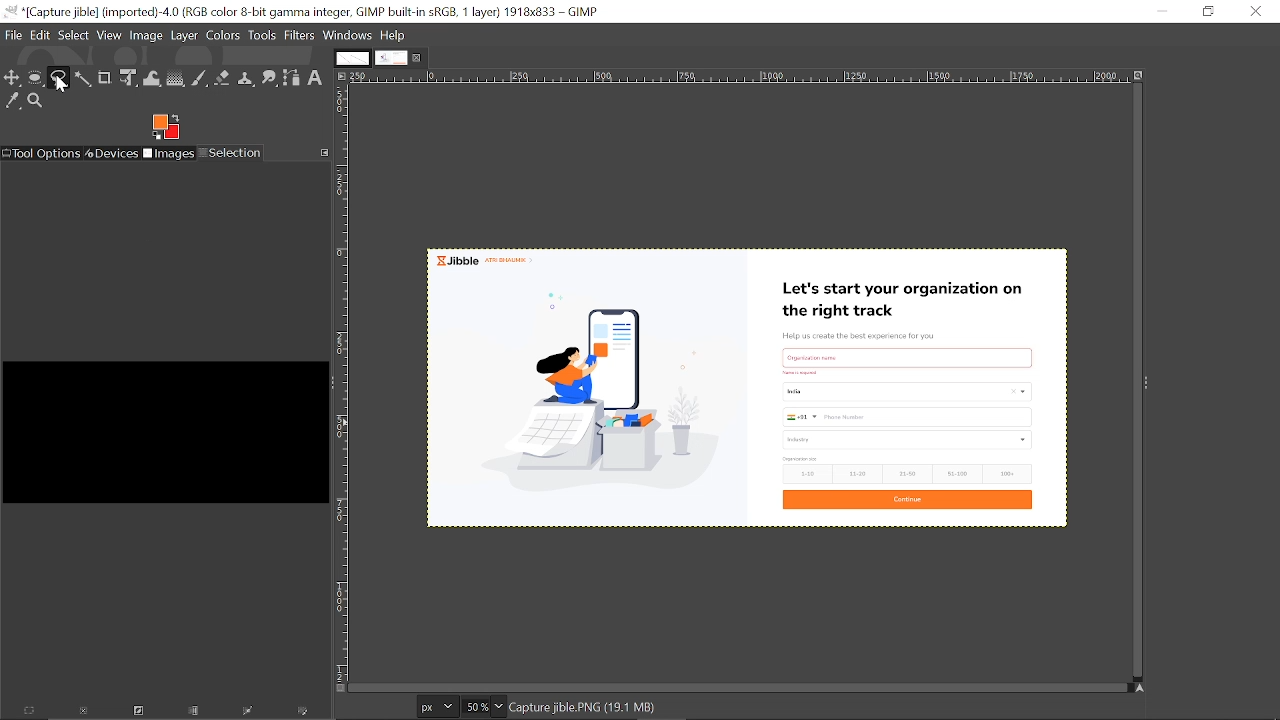  What do you see at coordinates (1206, 11) in the screenshot?
I see `Restore down` at bounding box center [1206, 11].